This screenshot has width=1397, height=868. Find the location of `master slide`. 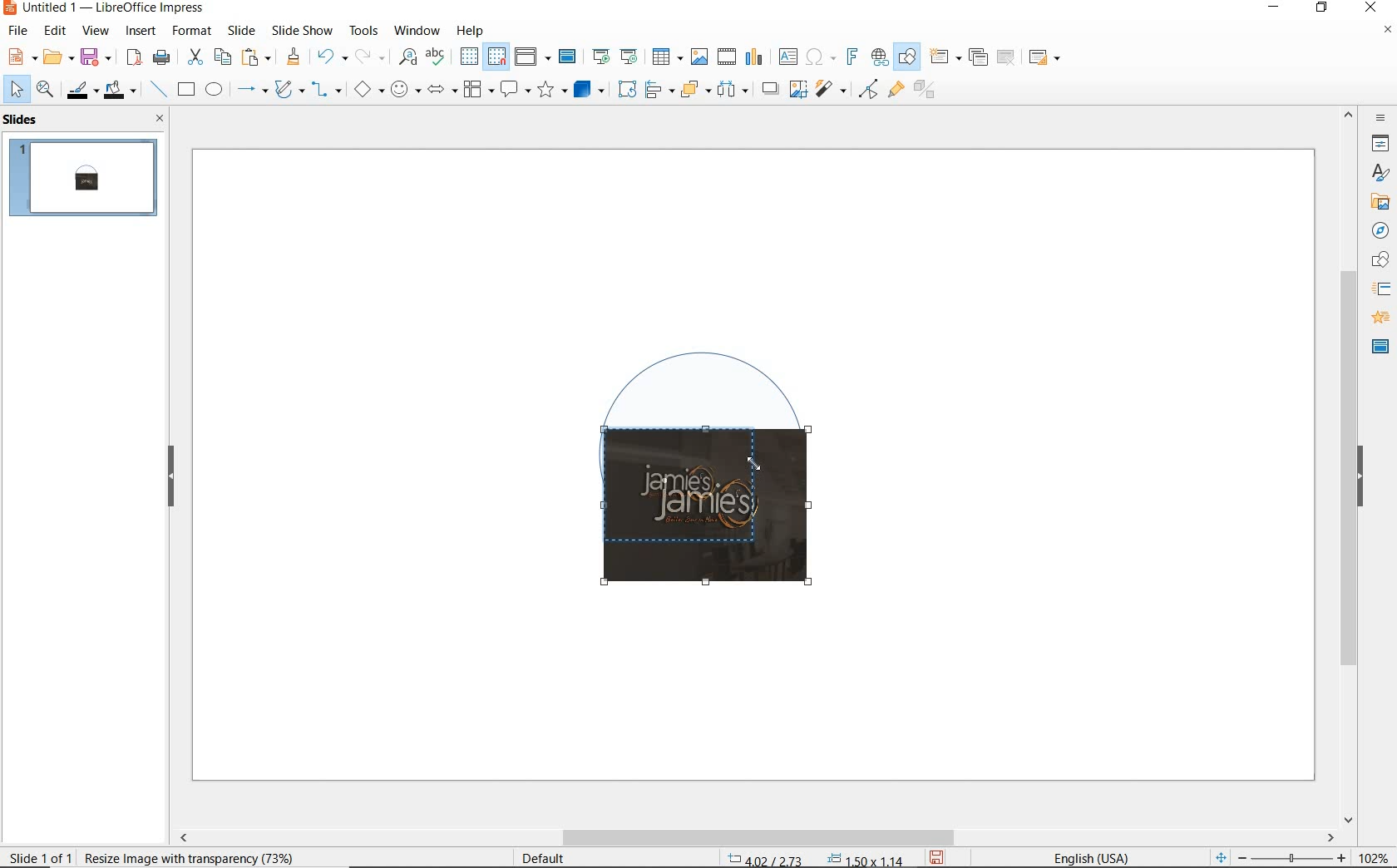

master slide is located at coordinates (1380, 345).